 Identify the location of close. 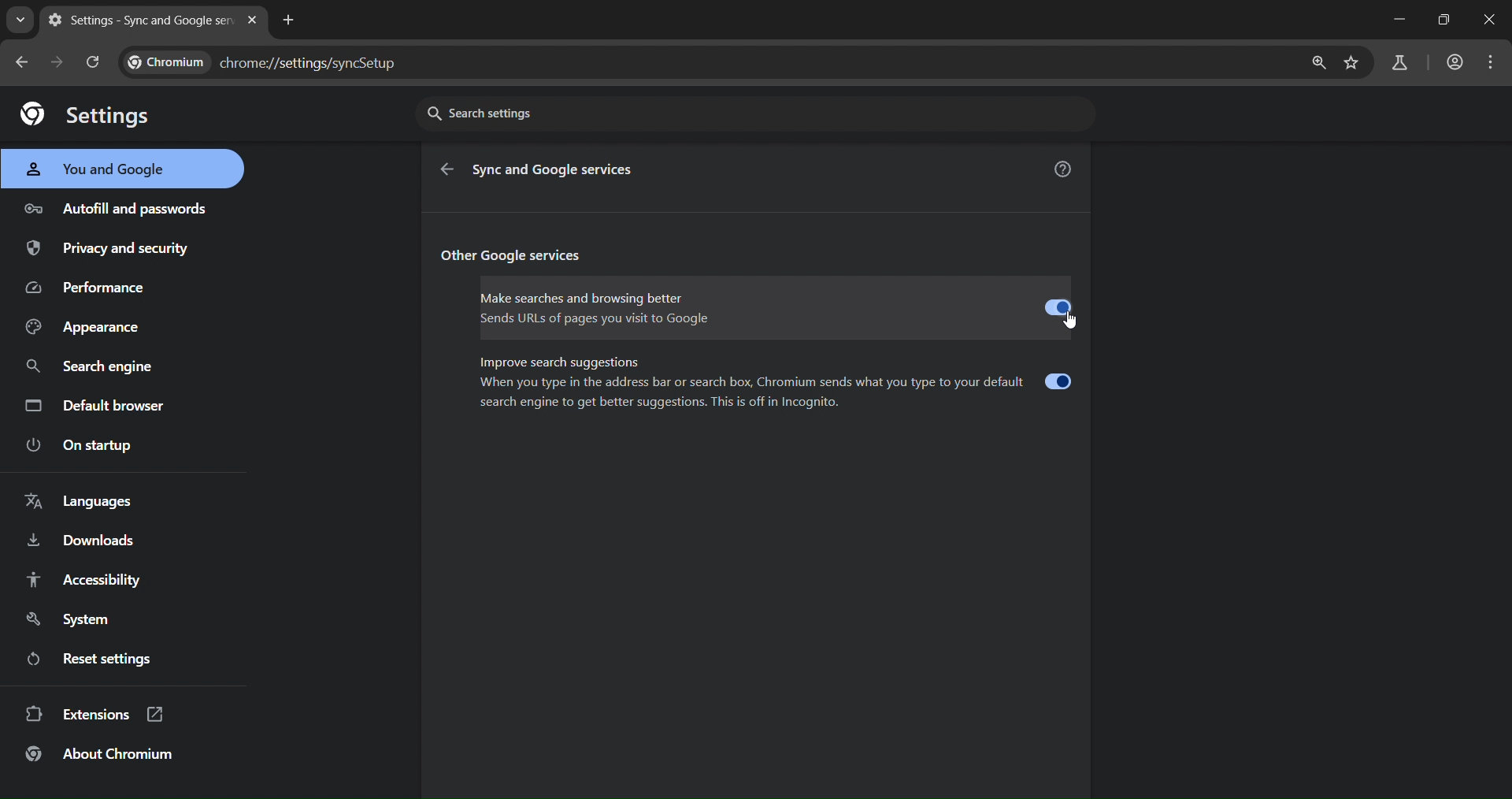
(1489, 22).